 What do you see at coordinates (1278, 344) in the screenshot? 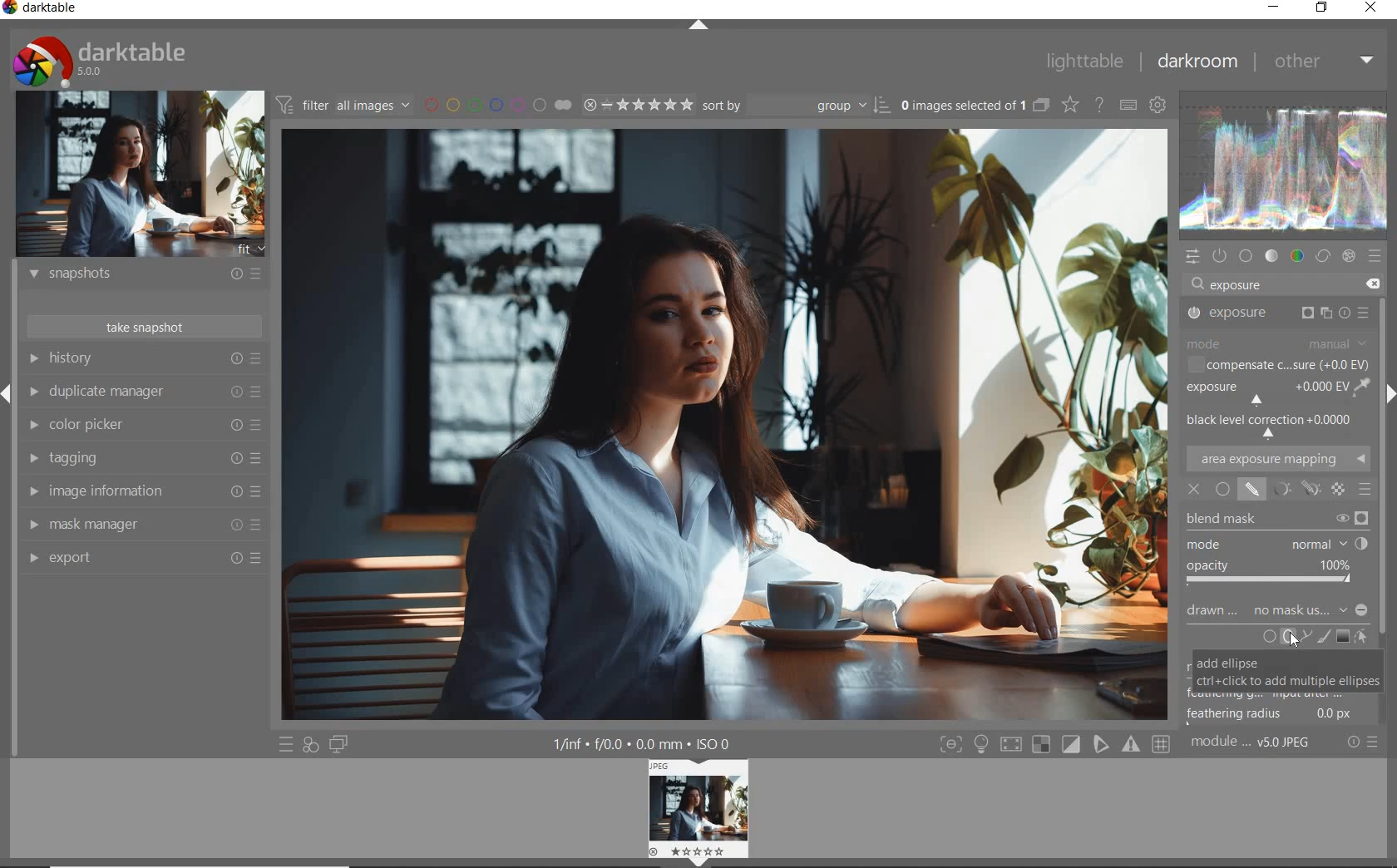
I see `MODE` at bounding box center [1278, 344].